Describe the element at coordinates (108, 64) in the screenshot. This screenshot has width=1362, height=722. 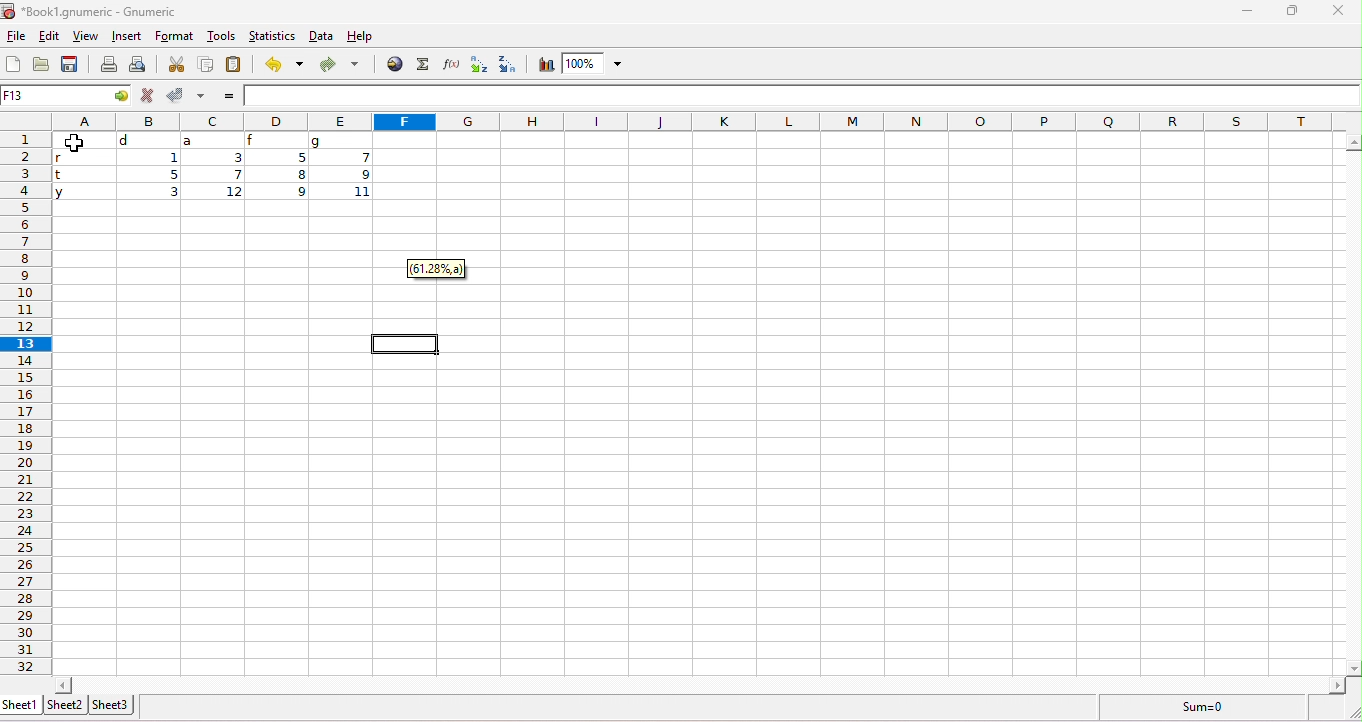
I see `print` at that location.